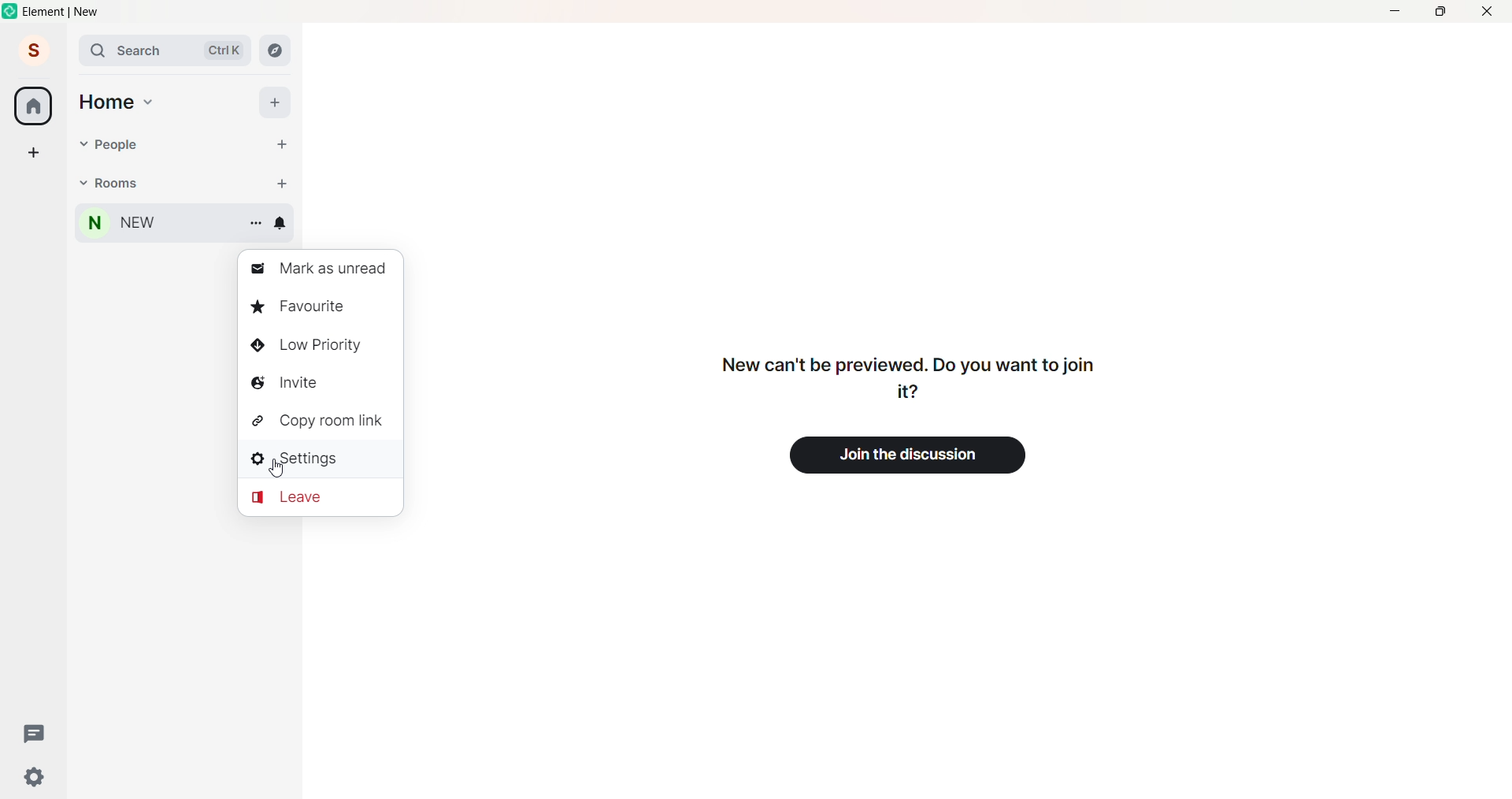 Image resolution: width=1512 pixels, height=799 pixels. What do you see at coordinates (278, 180) in the screenshot?
I see `add room` at bounding box center [278, 180].